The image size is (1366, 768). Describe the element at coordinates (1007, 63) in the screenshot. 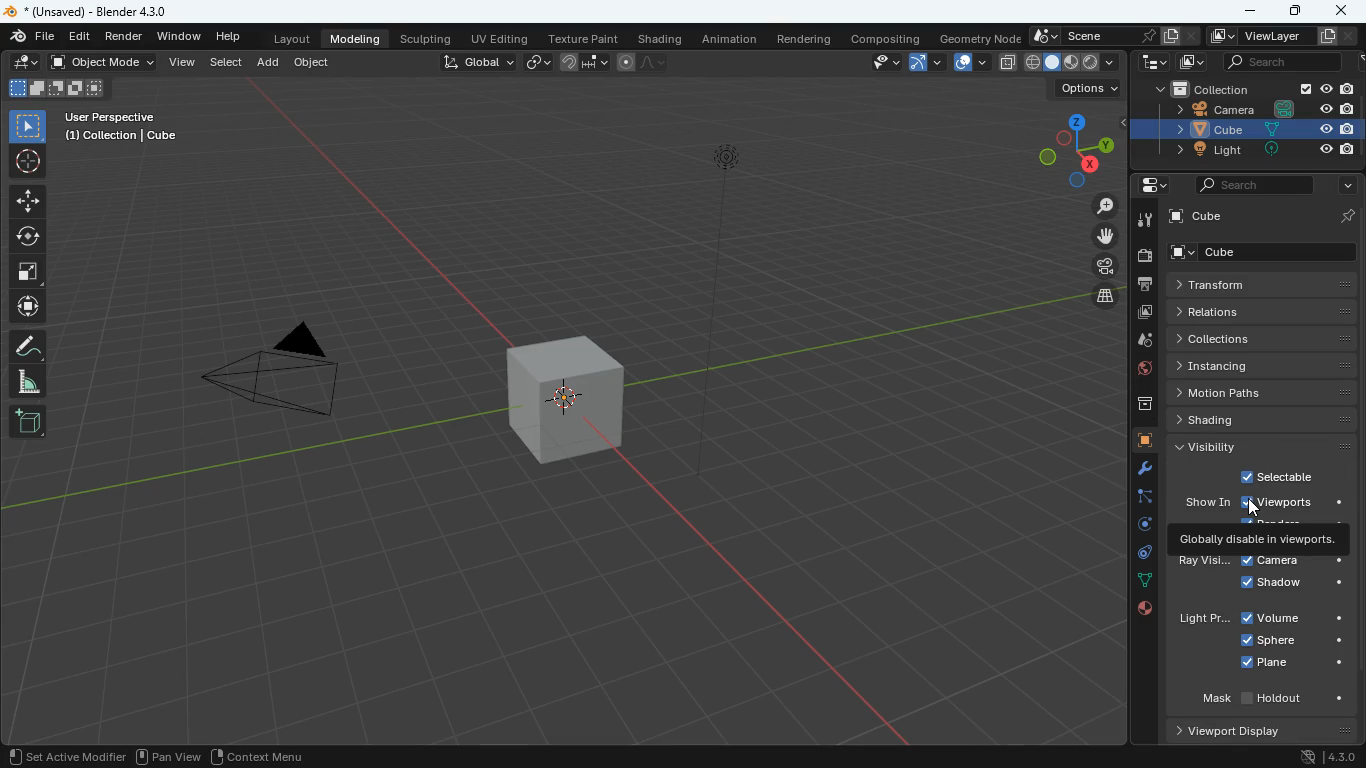

I see `layer` at that location.